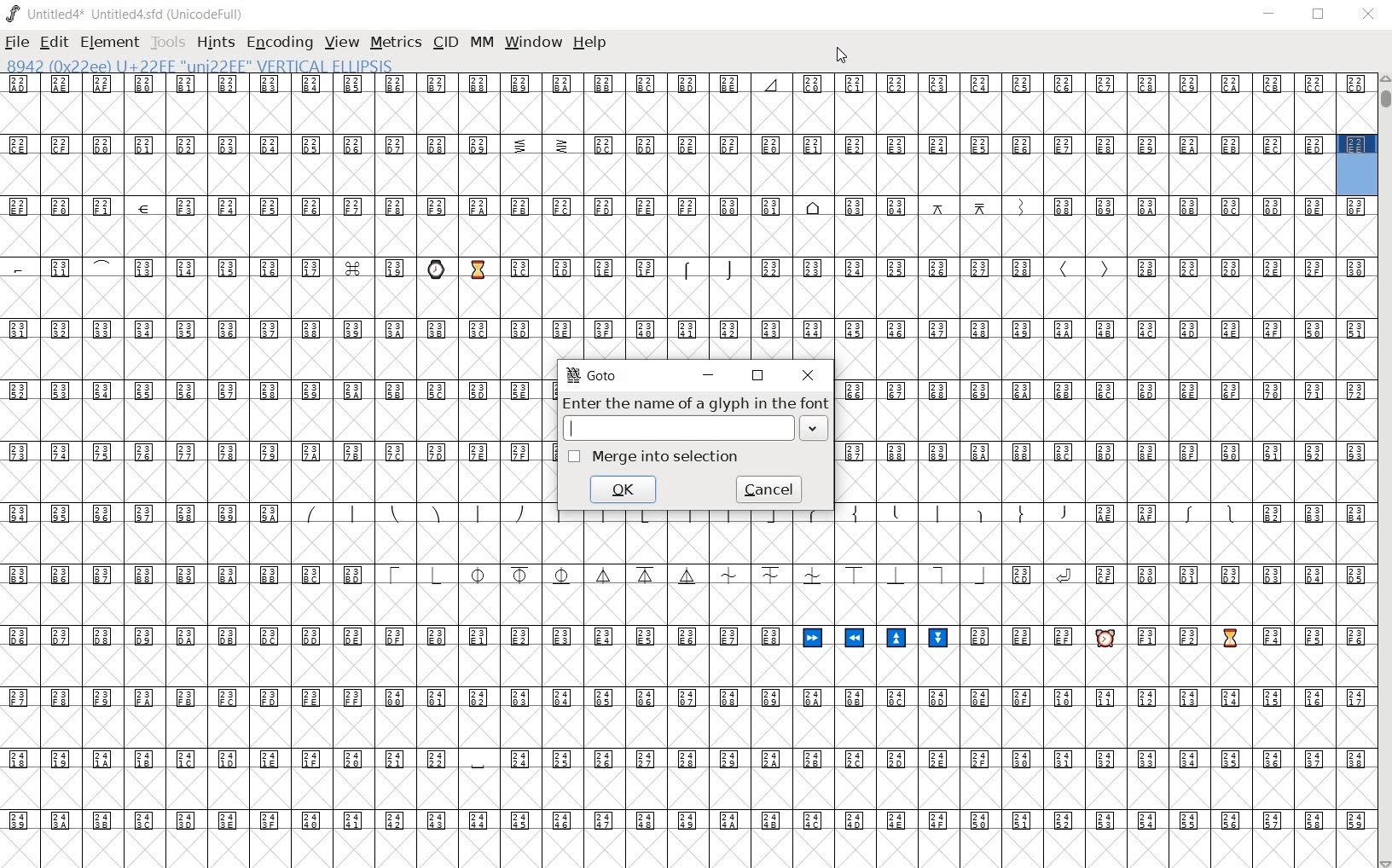  Describe the element at coordinates (957, 215) in the screenshot. I see `glyph characters` at that location.